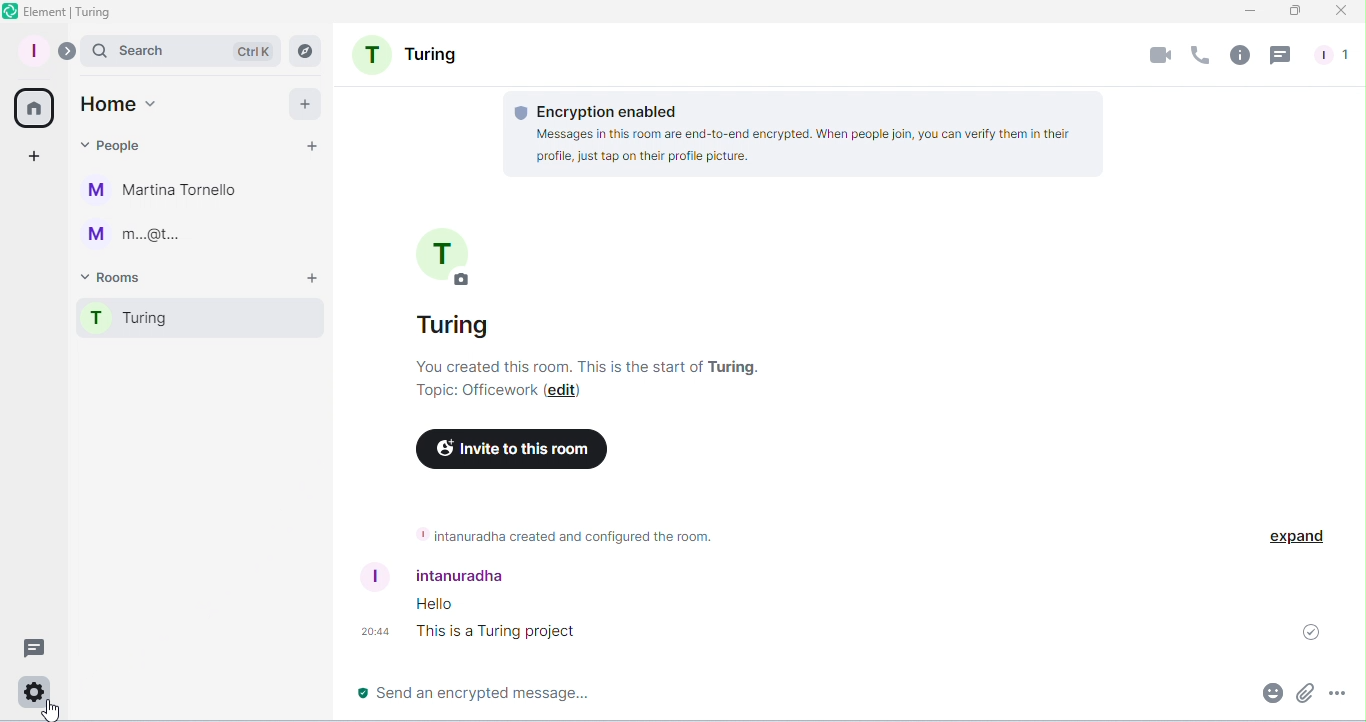 The height and width of the screenshot is (722, 1366). I want to click on More options, so click(1334, 693).